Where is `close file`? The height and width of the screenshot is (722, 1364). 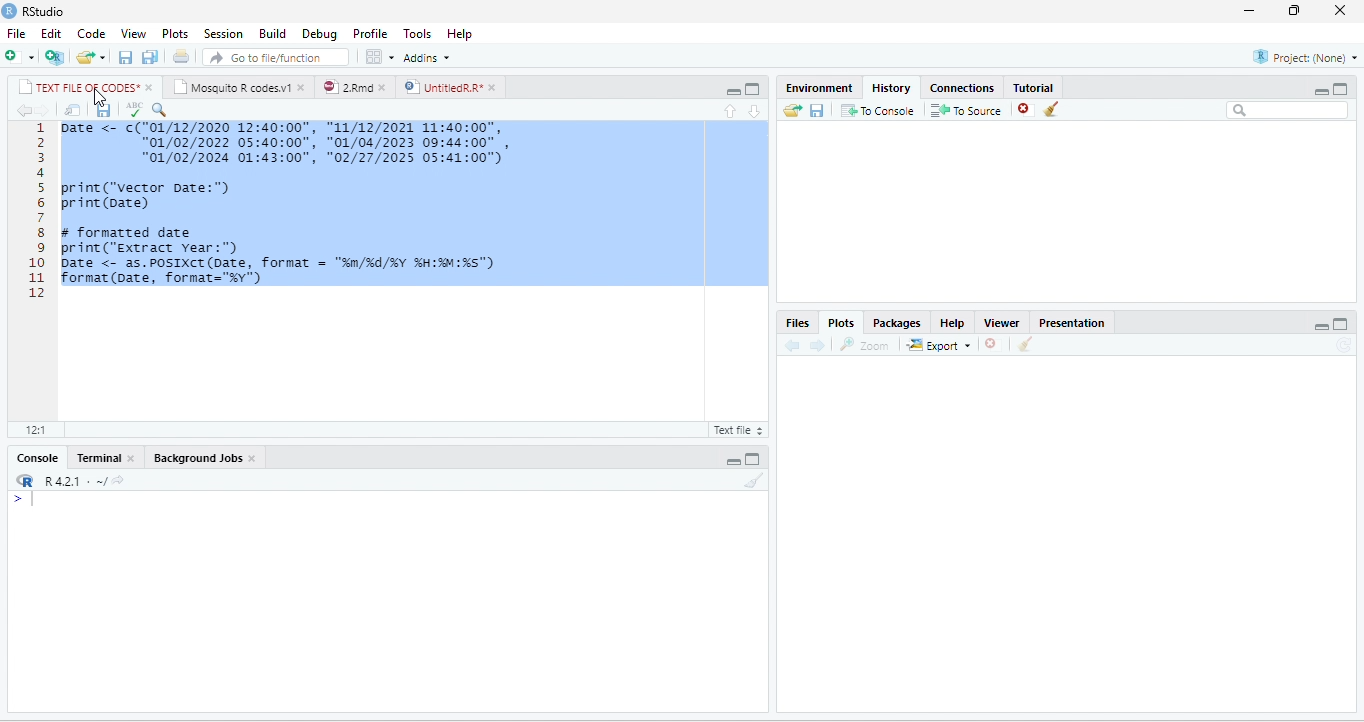
close file is located at coordinates (1026, 109).